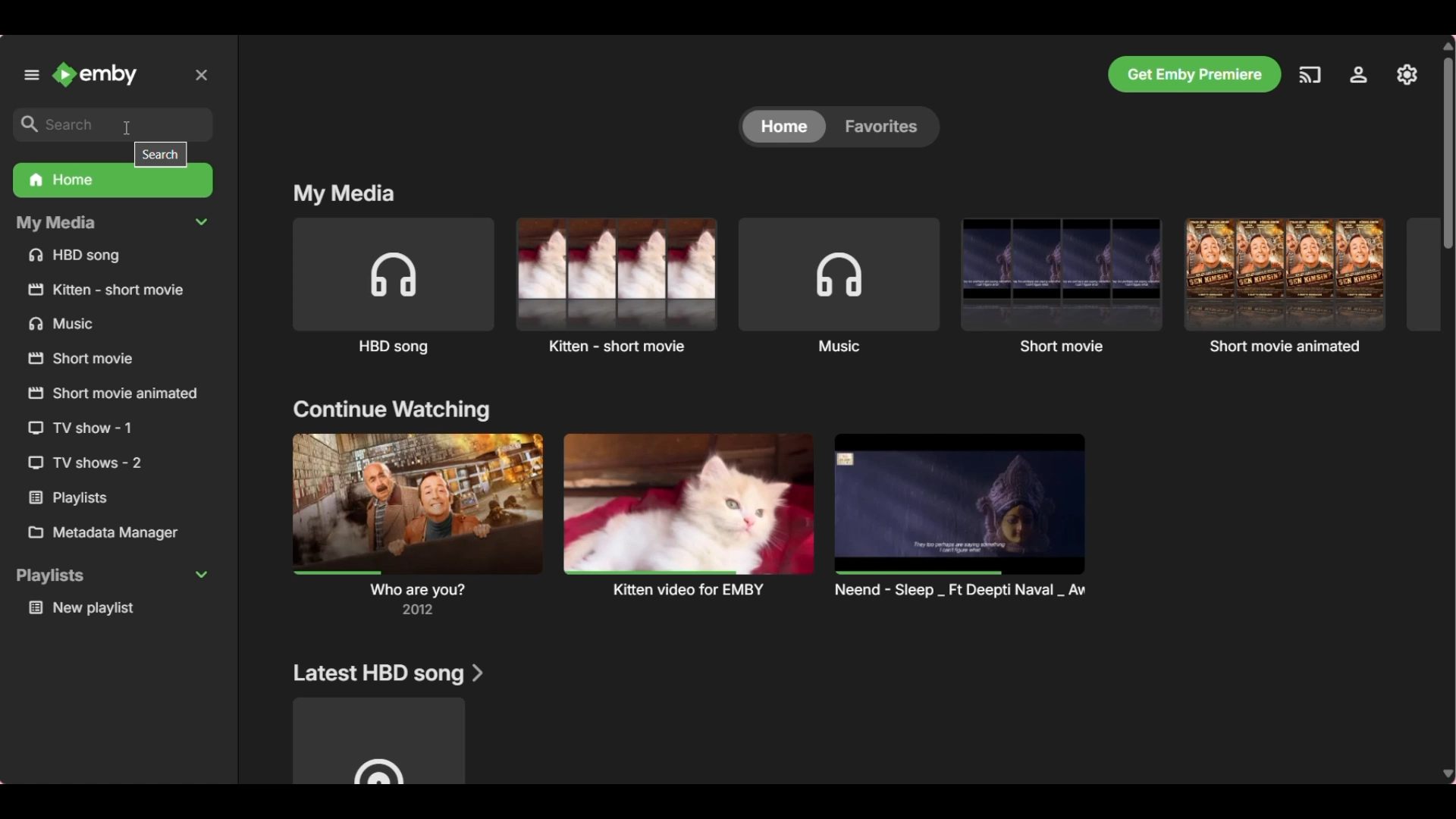  Describe the element at coordinates (113, 124) in the screenshot. I see `Search box` at that location.